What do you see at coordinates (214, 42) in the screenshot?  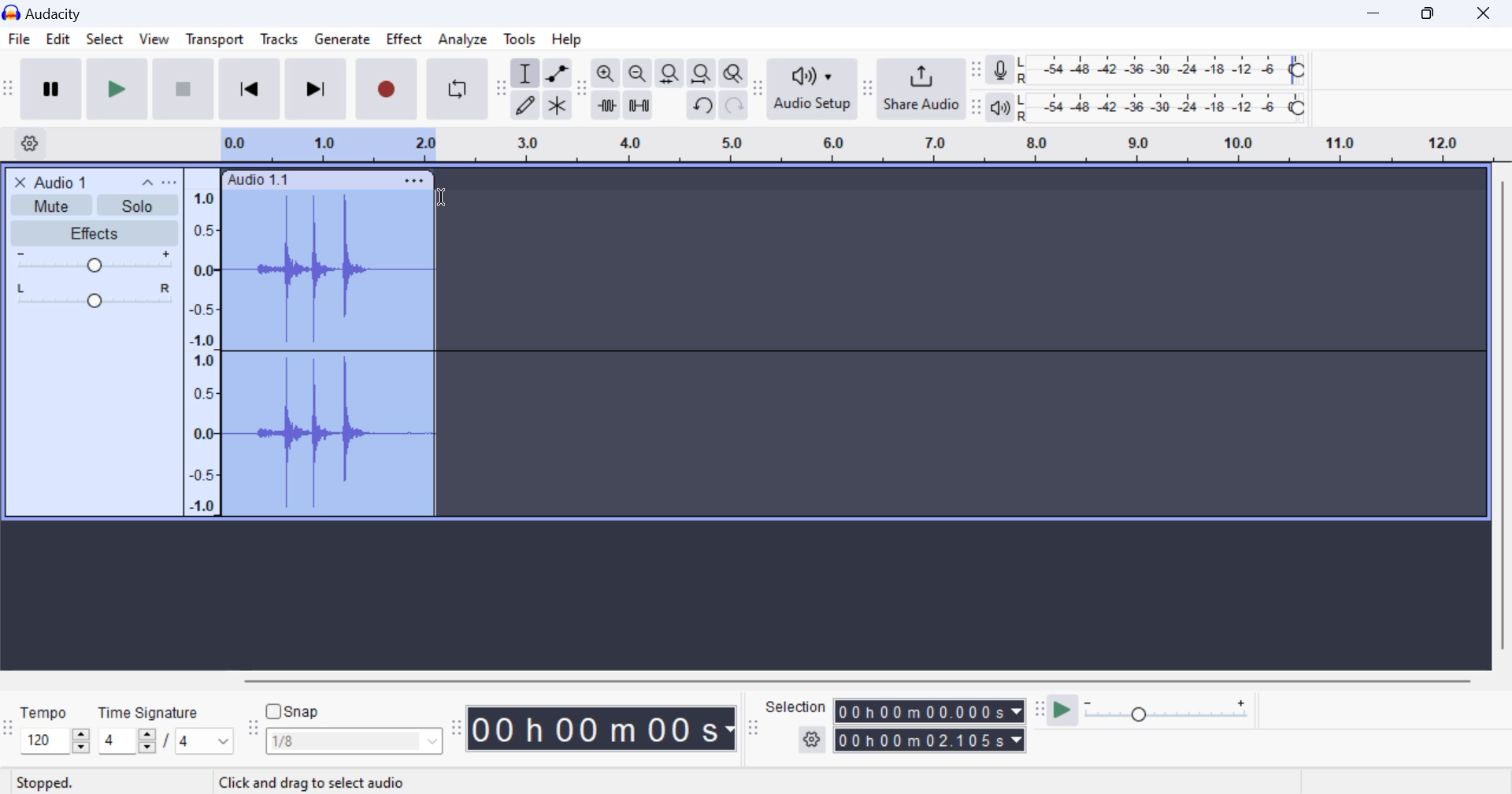 I see `Transport` at bounding box center [214, 42].